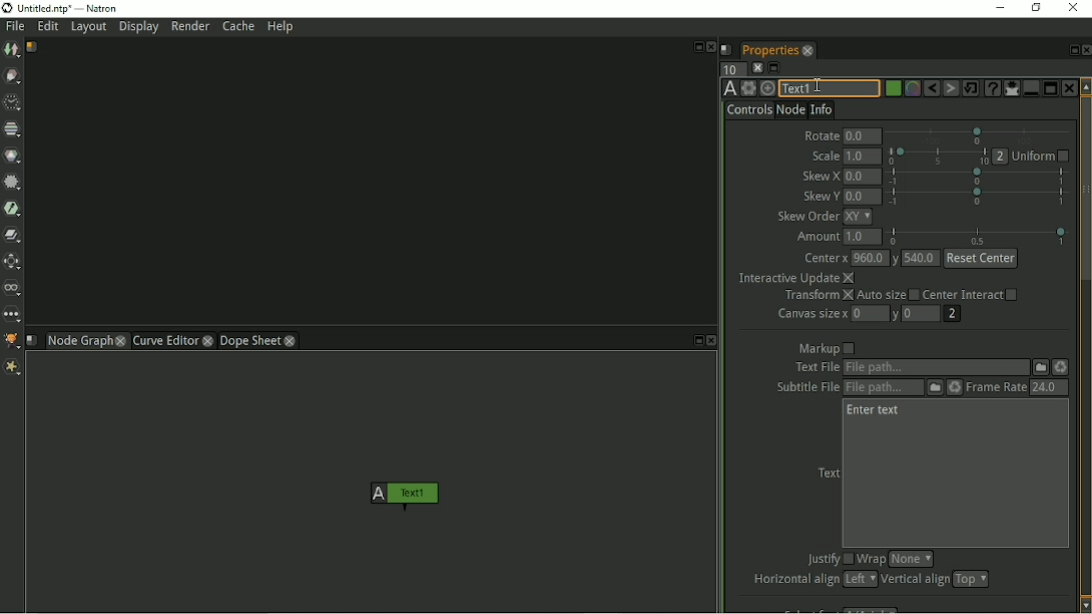 The height and width of the screenshot is (614, 1092). Describe the element at coordinates (820, 177) in the screenshot. I see `Skew X` at that location.